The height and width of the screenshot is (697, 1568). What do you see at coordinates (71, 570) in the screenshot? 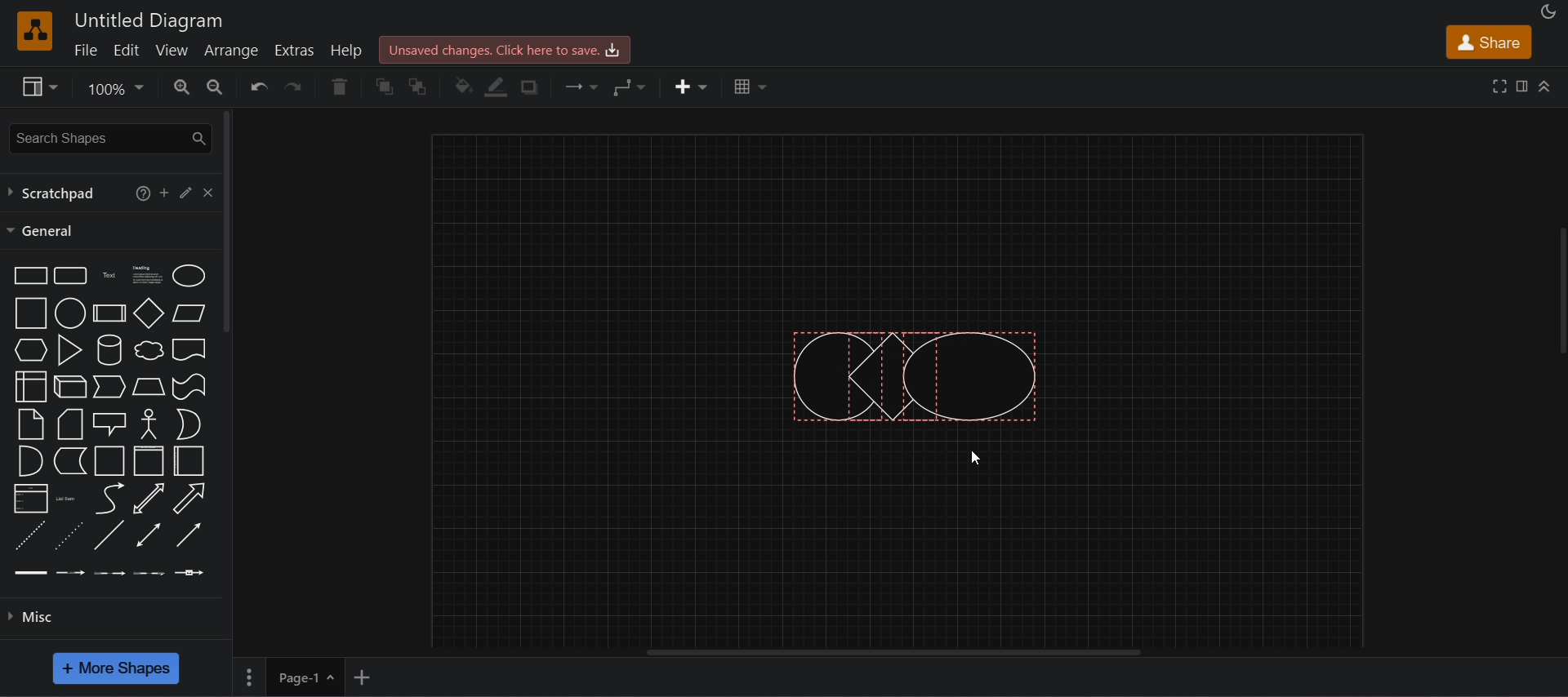
I see `connector with label` at bounding box center [71, 570].